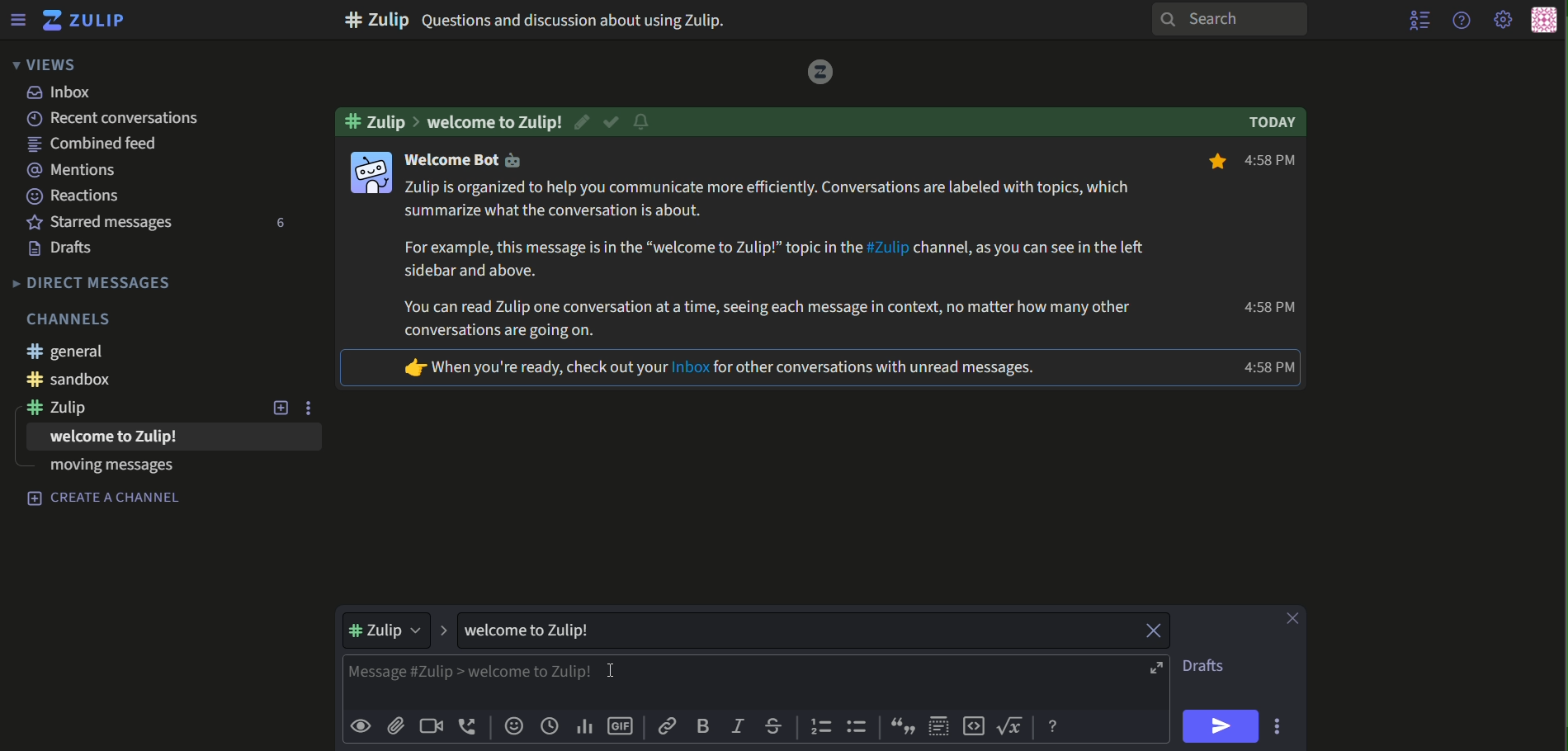 The height and width of the screenshot is (751, 1568). What do you see at coordinates (584, 727) in the screenshot?
I see `add poll` at bounding box center [584, 727].